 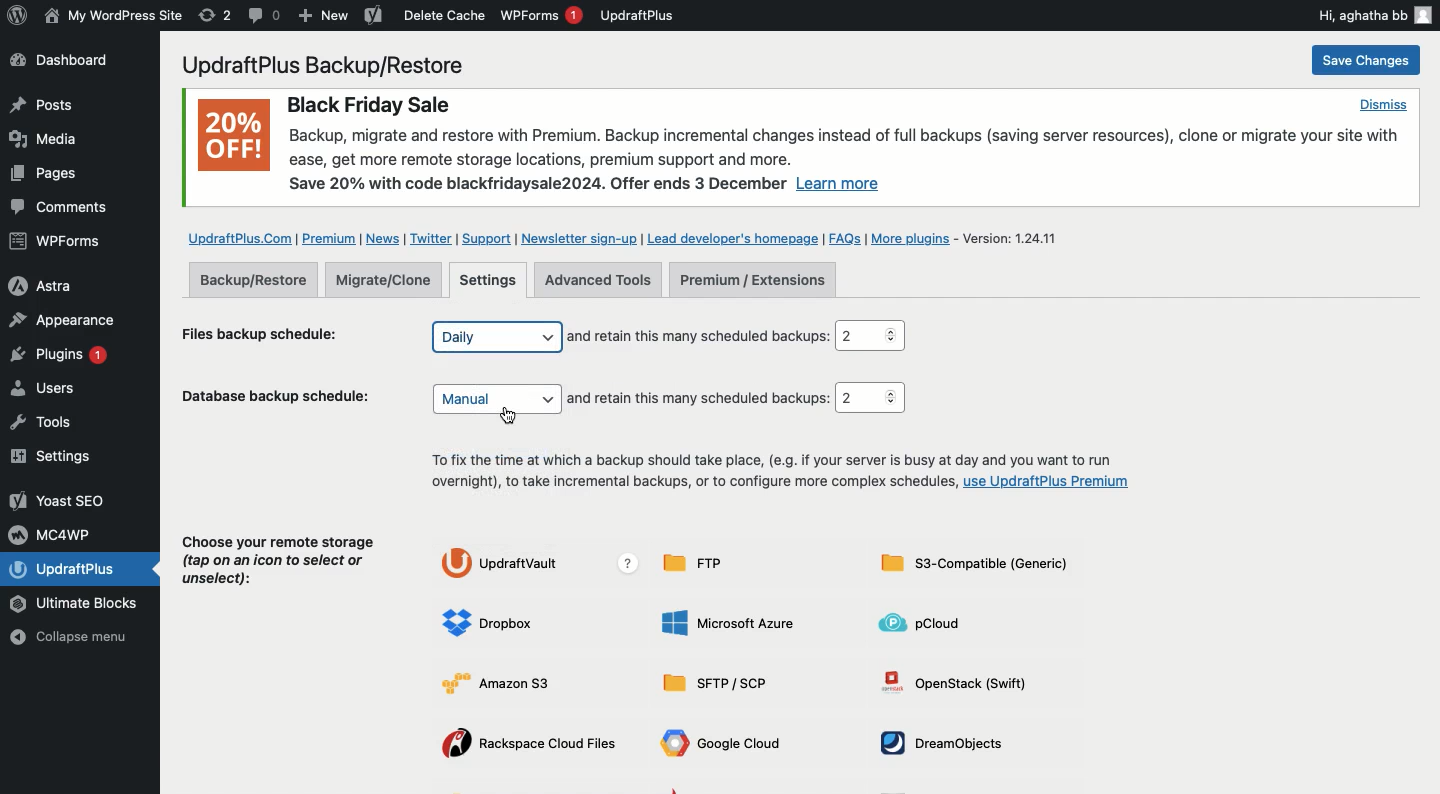 What do you see at coordinates (372, 17) in the screenshot?
I see `Yoast` at bounding box center [372, 17].